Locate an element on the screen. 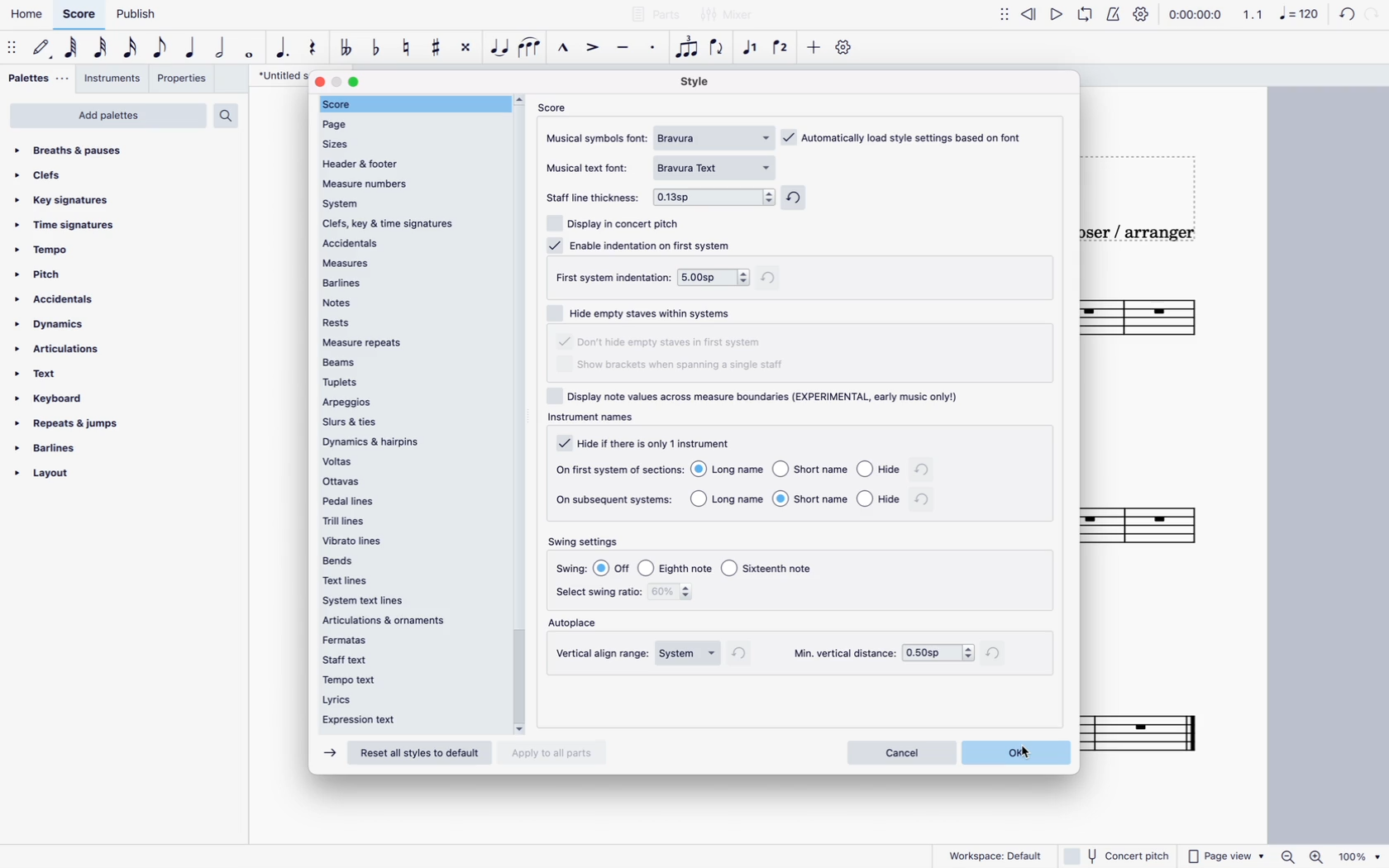 The image size is (1389, 868). full note is located at coordinates (251, 55).